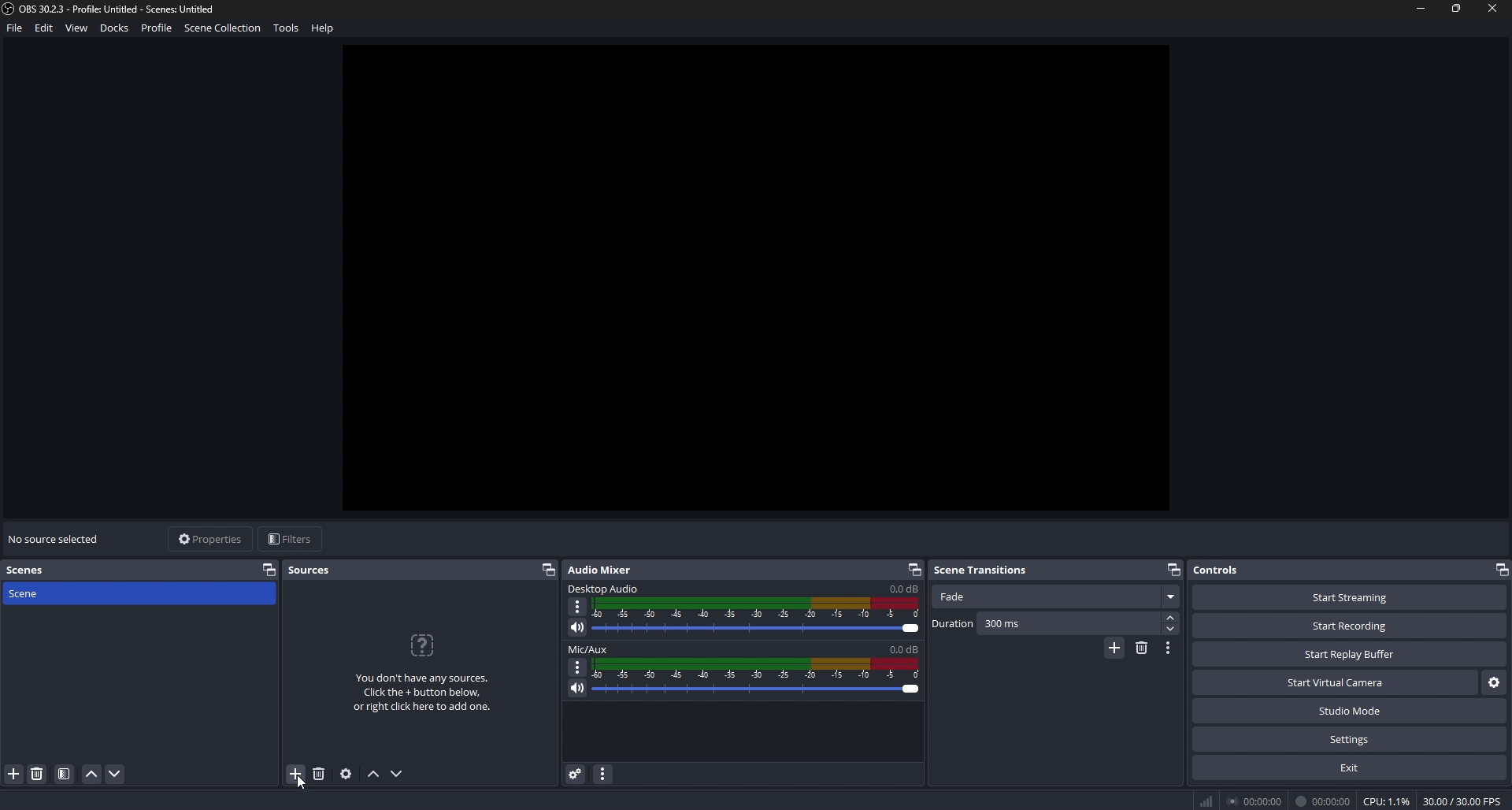  What do you see at coordinates (578, 627) in the screenshot?
I see `mute` at bounding box center [578, 627].